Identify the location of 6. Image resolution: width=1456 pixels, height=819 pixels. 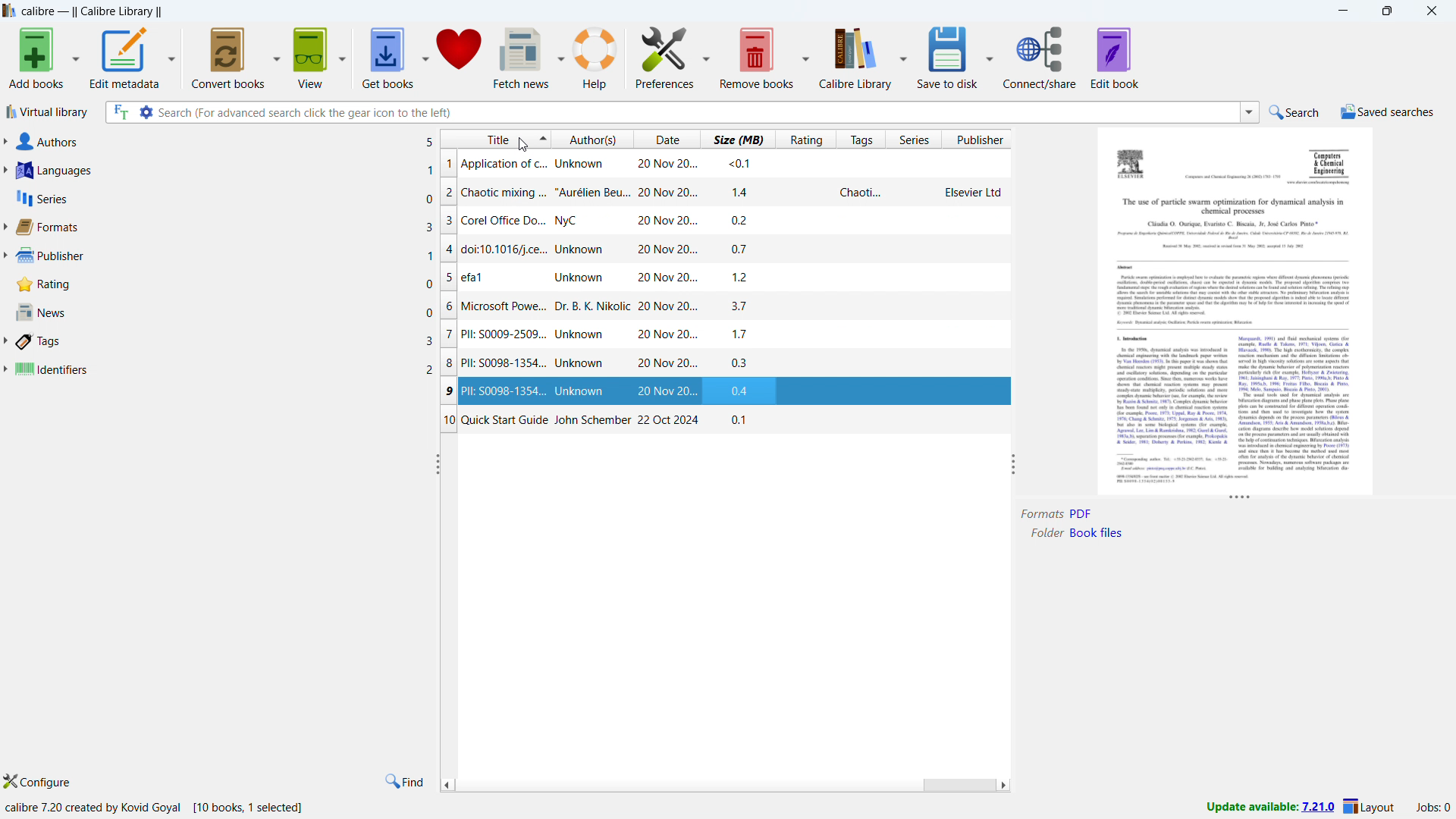
(449, 306).